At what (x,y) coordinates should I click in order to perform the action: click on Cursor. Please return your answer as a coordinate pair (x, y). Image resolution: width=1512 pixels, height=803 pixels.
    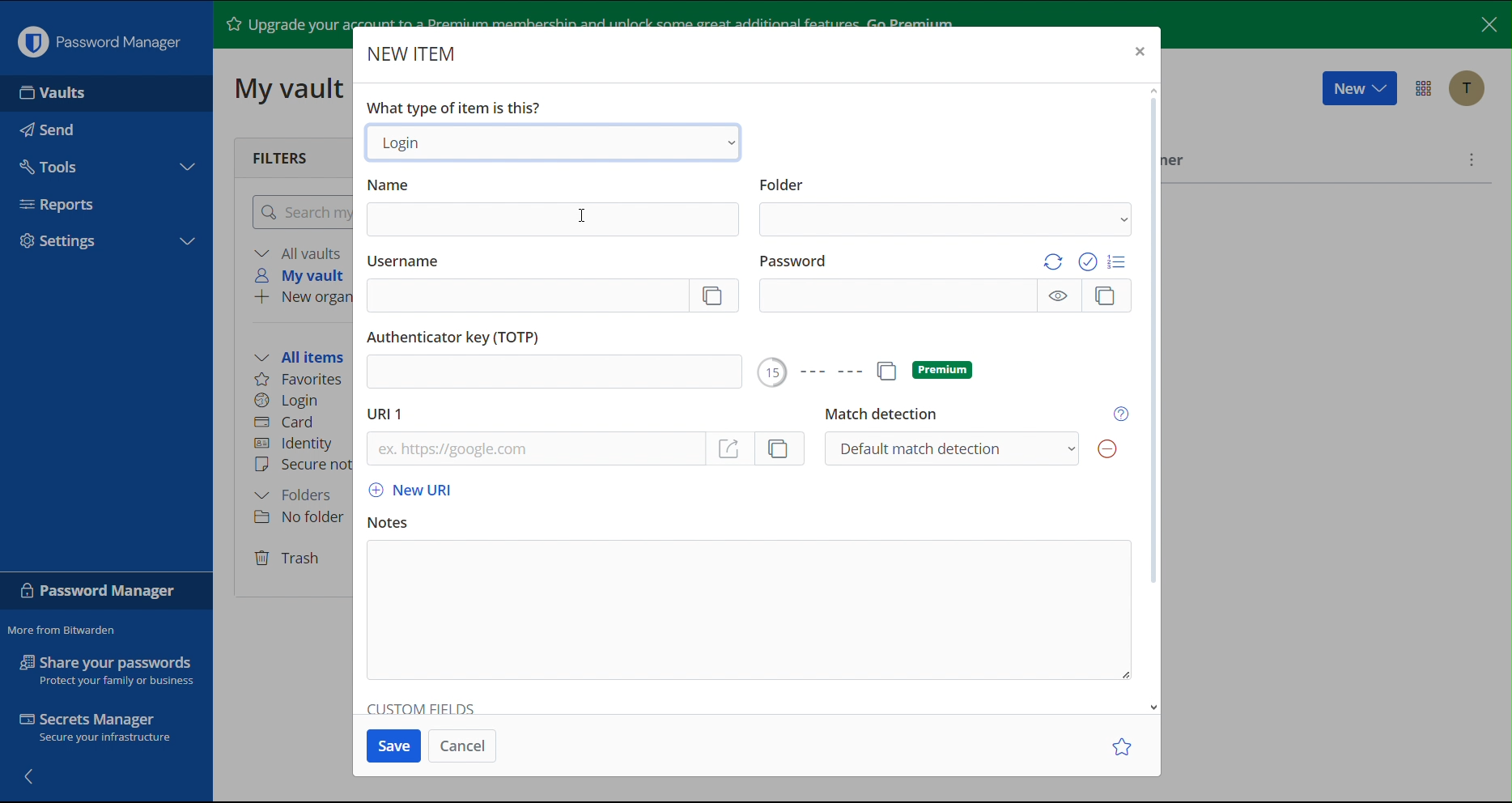
    Looking at the image, I should click on (584, 219).